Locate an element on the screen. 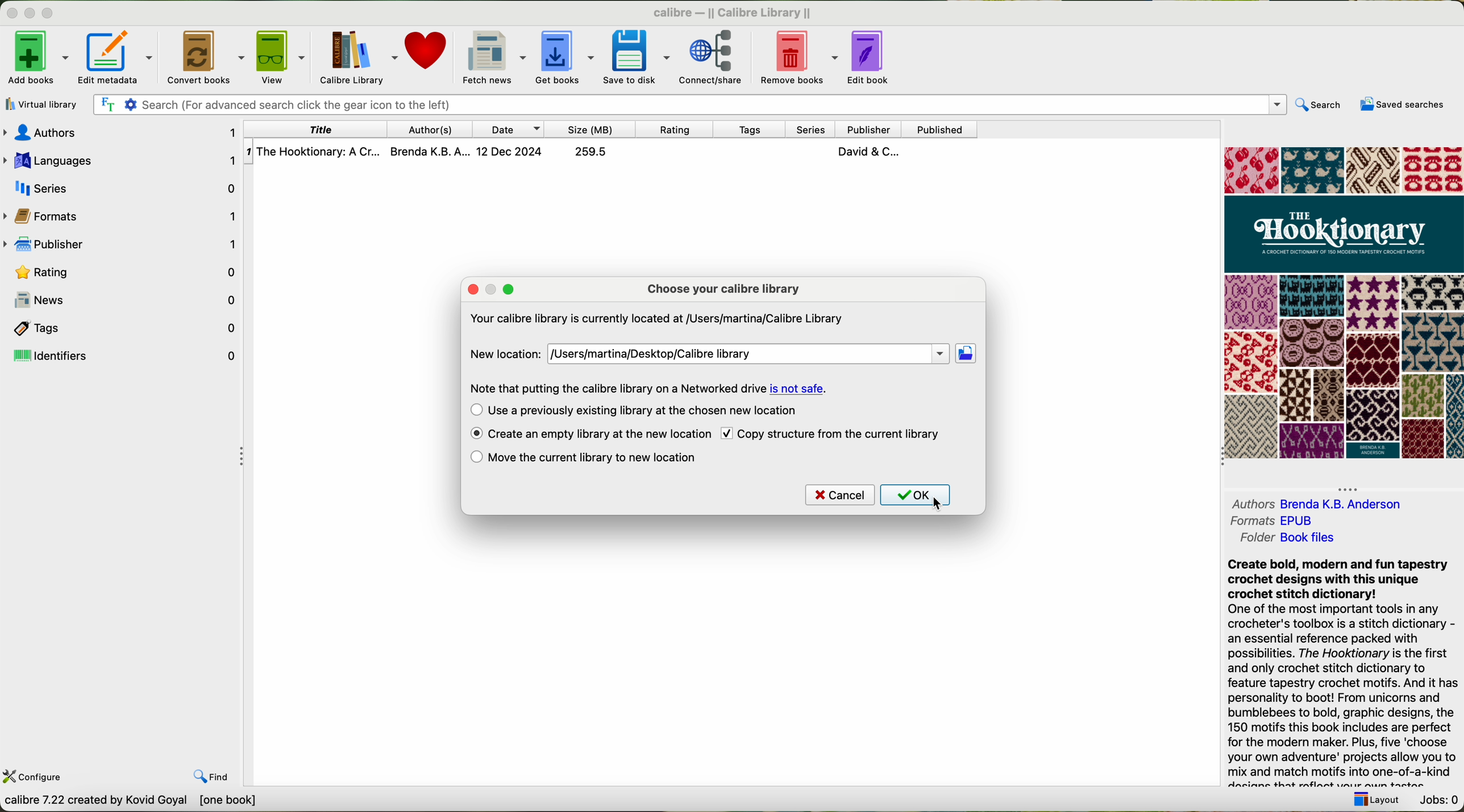 This screenshot has height=812, width=1464. layout is located at coordinates (1379, 801).